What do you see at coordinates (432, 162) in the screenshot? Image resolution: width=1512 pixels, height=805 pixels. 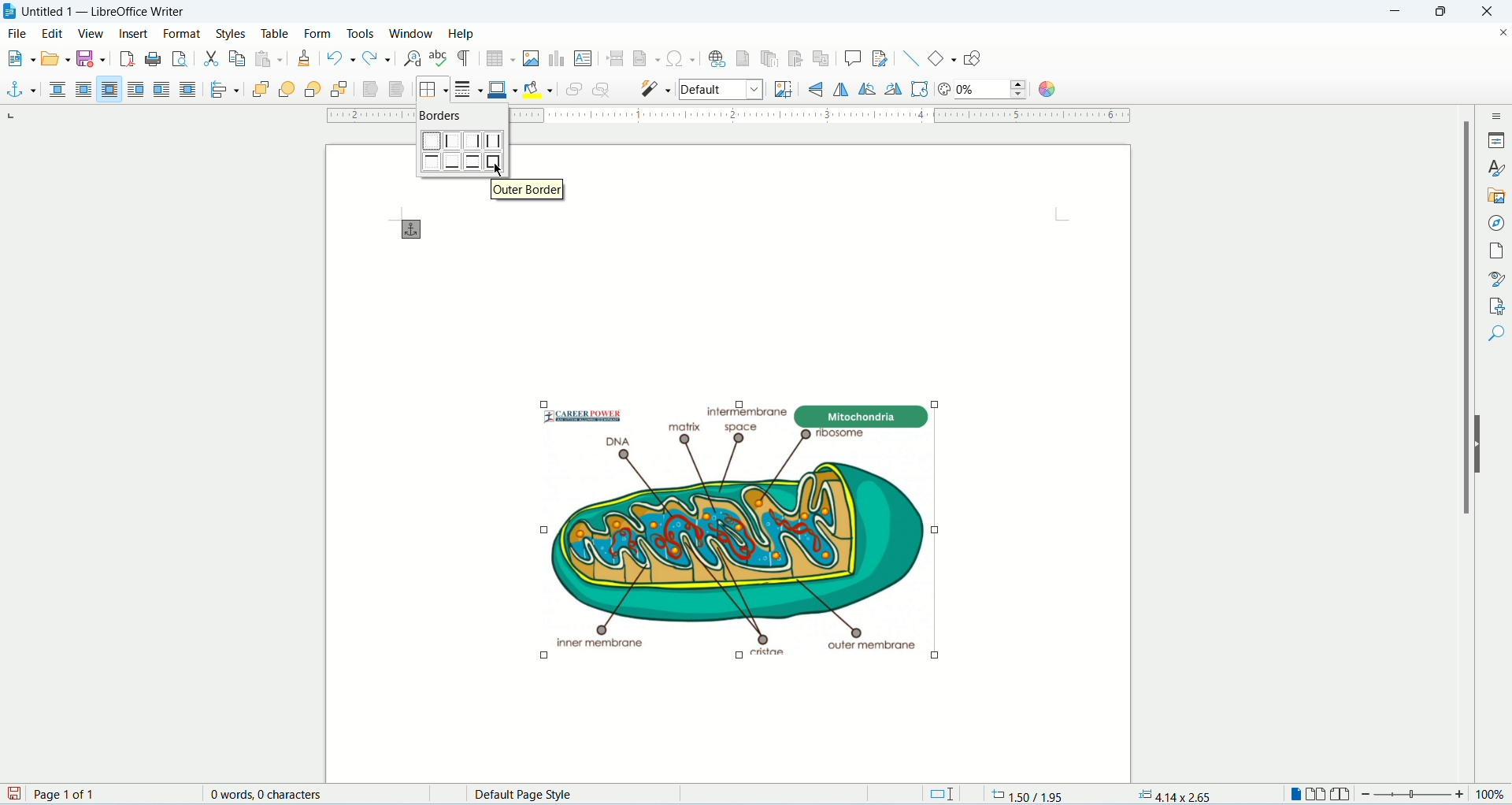 I see `top border` at bounding box center [432, 162].